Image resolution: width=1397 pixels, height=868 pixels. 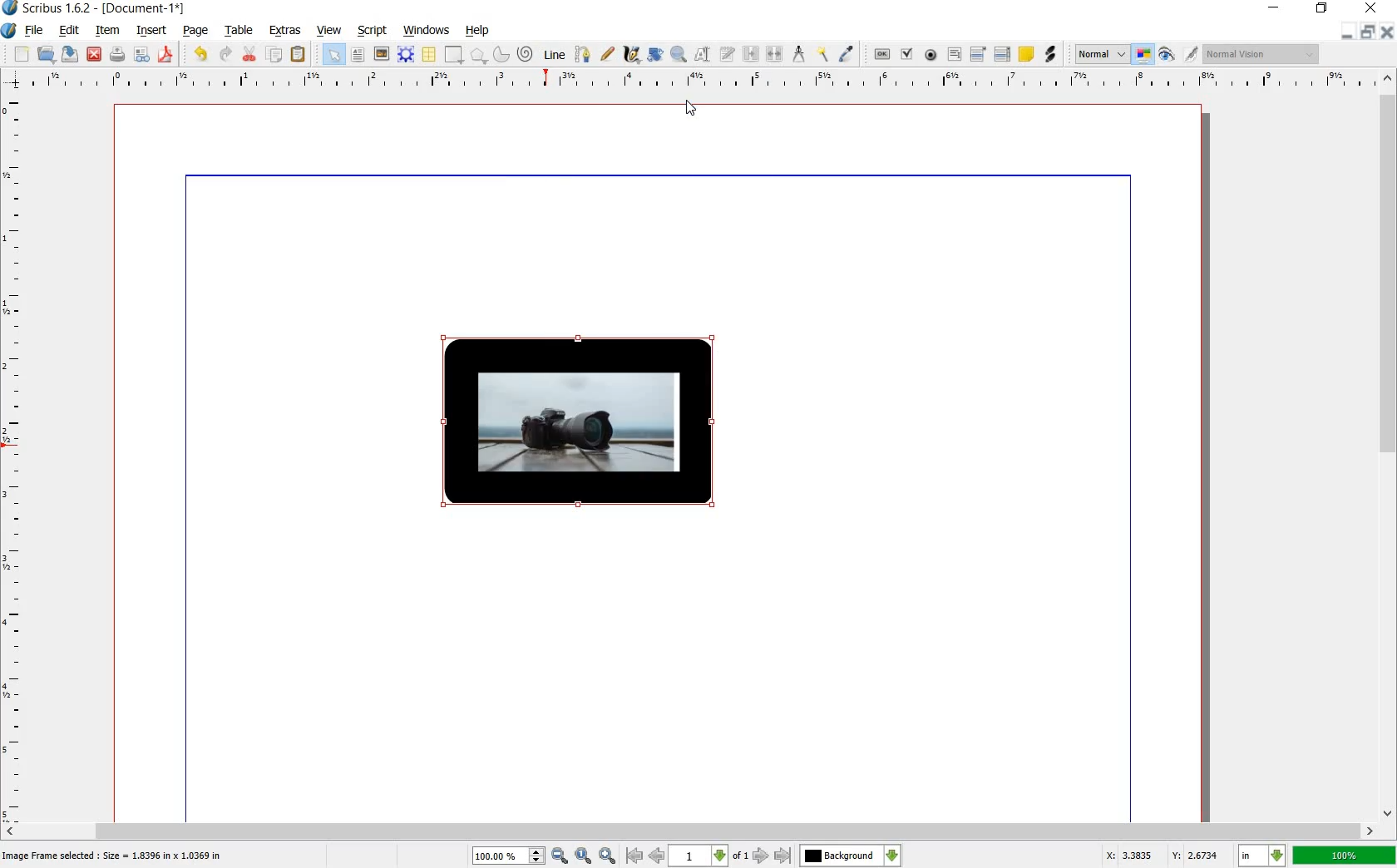 What do you see at coordinates (146, 8) in the screenshot?
I see `-[Document -1*]` at bounding box center [146, 8].